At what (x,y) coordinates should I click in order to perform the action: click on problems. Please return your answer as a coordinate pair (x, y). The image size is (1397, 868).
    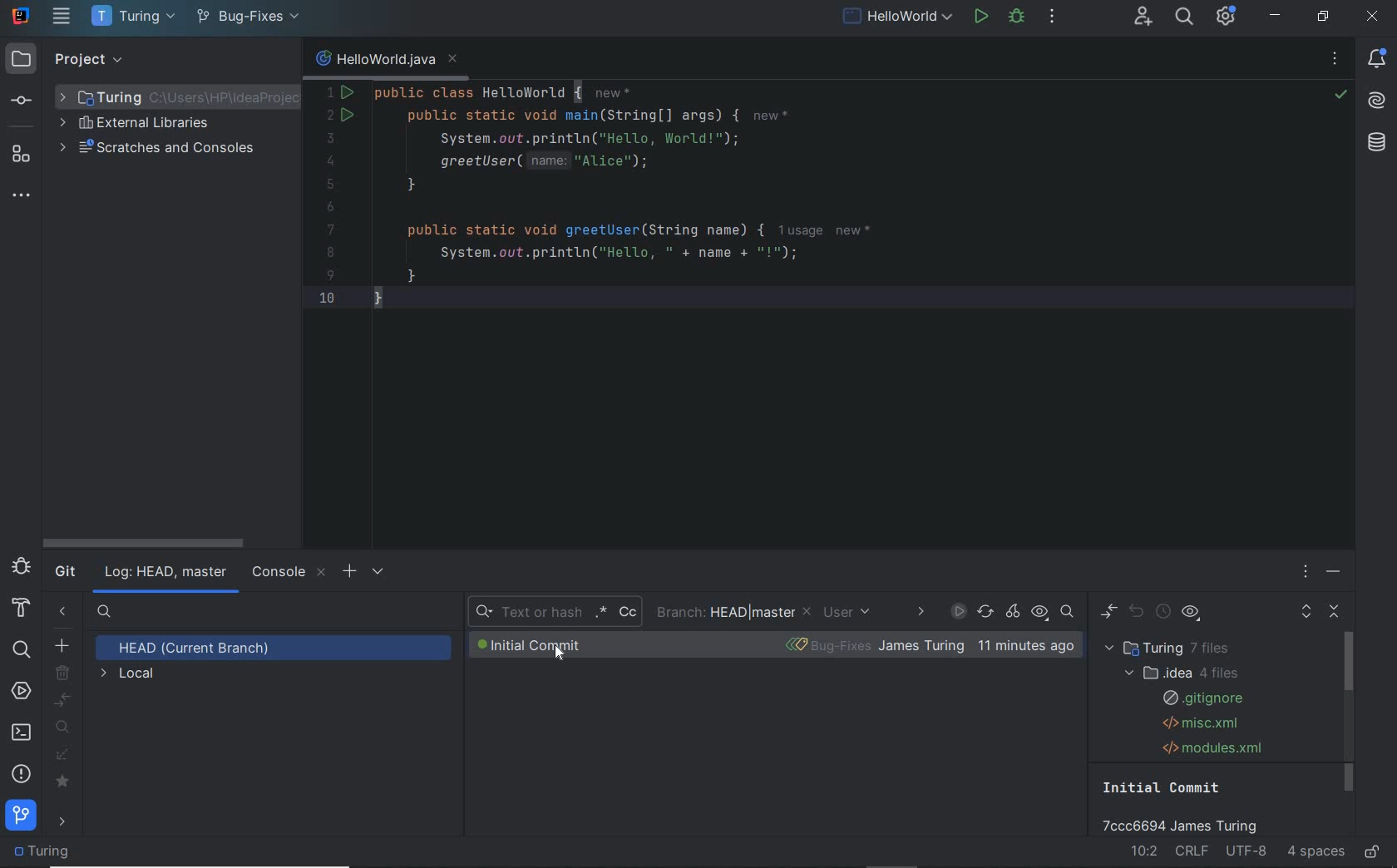
    Looking at the image, I should click on (22, 773).